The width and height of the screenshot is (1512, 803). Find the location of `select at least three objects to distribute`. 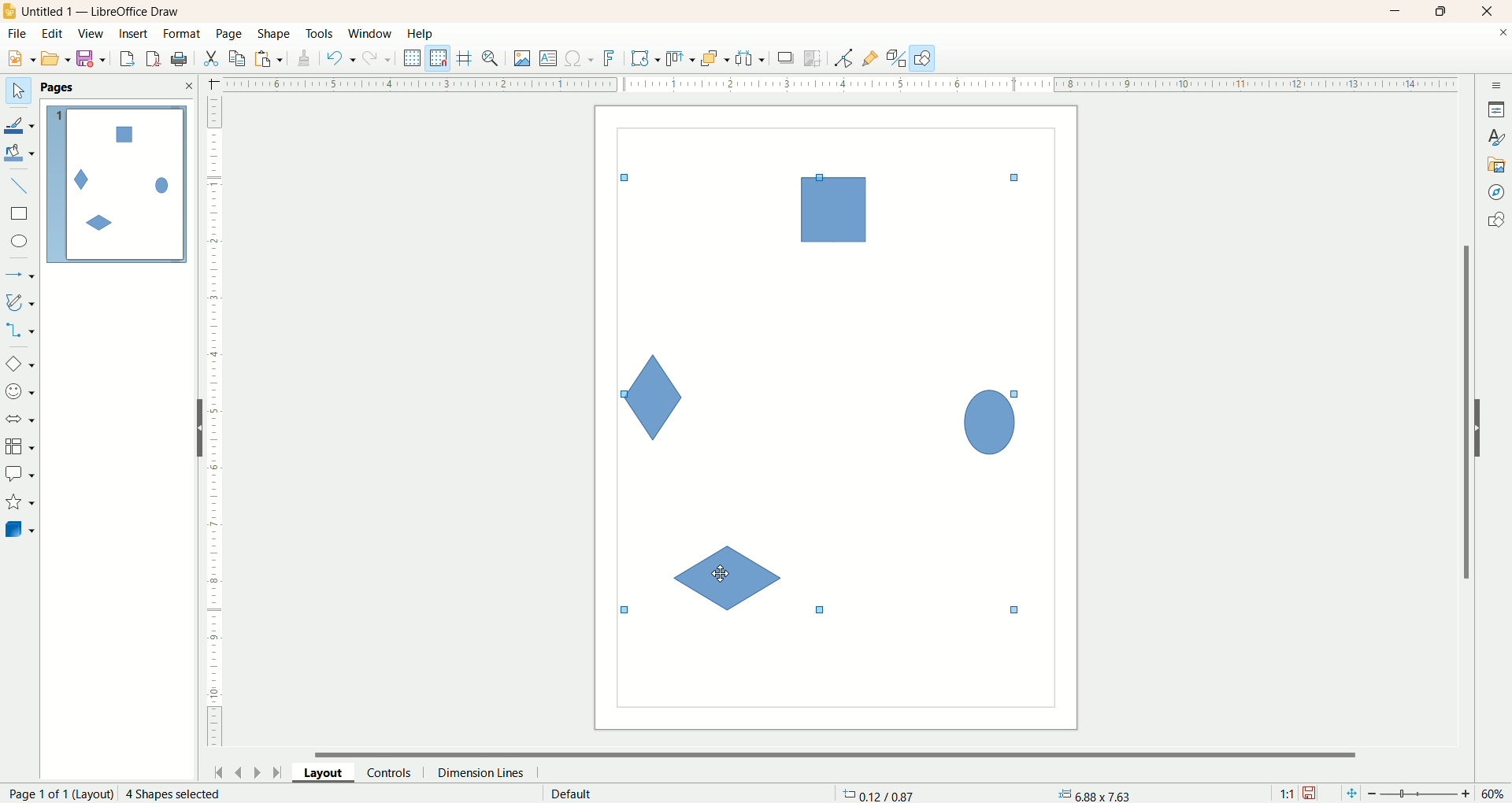

select at least three objects to distribute is located at coordinates (751, 58).